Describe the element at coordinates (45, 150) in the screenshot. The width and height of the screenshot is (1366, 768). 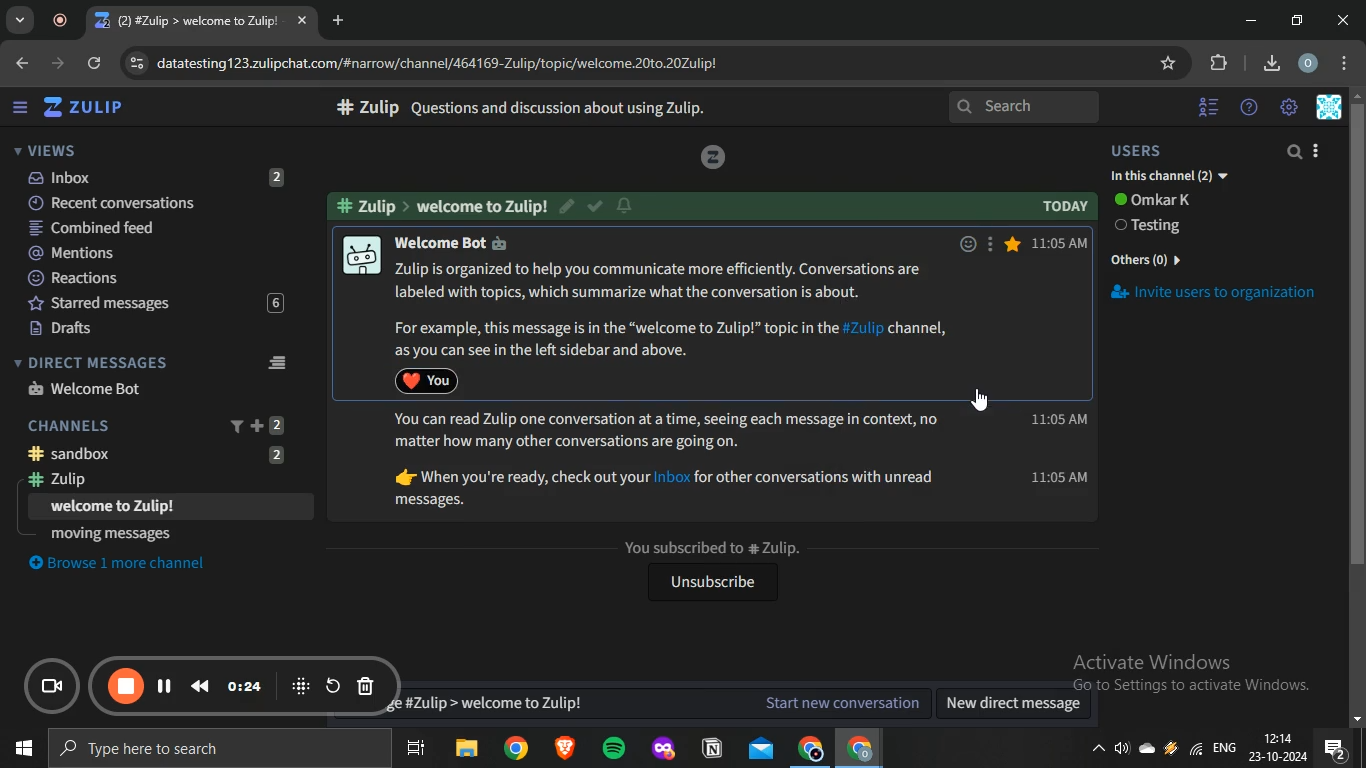
I see `views` at that location.